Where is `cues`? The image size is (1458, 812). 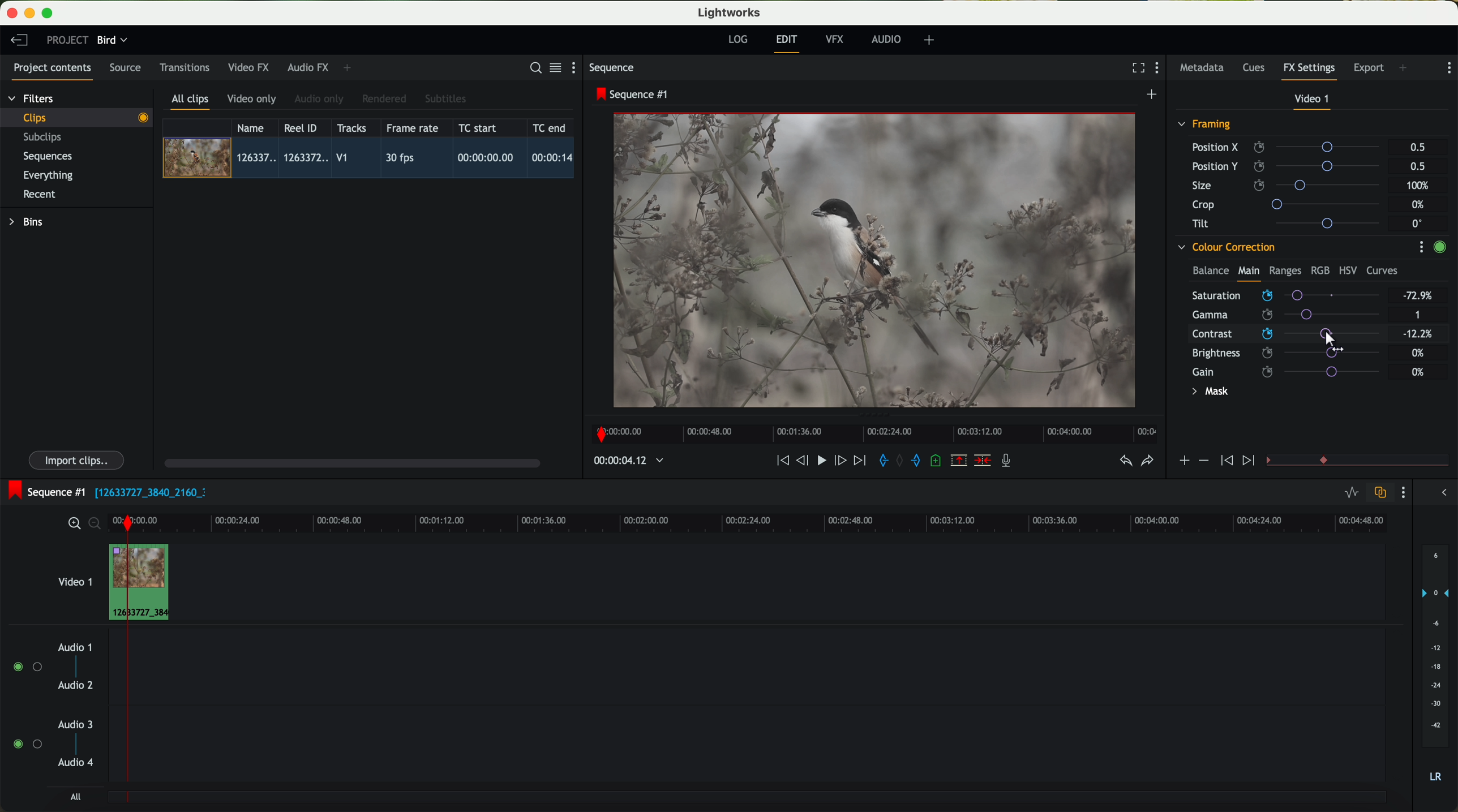 cues is located at coordinates (1257, 68).